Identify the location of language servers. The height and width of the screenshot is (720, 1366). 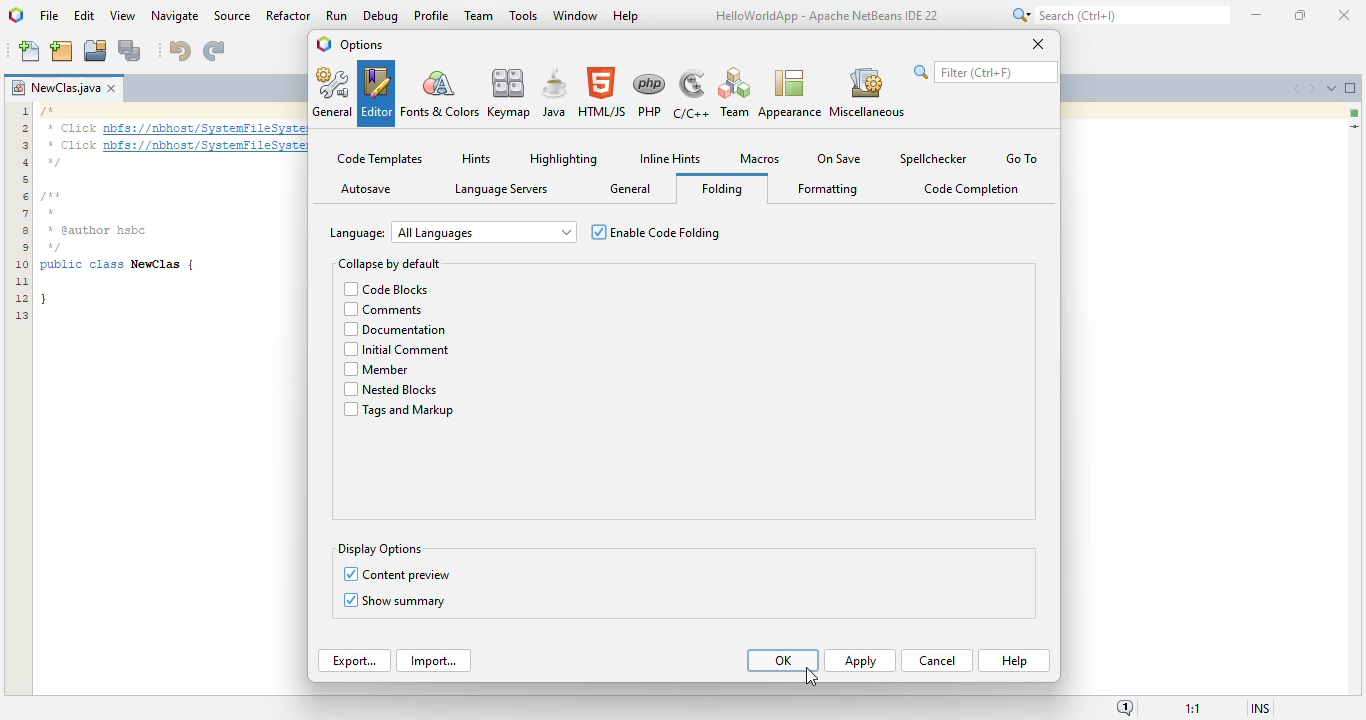
(501, 189).